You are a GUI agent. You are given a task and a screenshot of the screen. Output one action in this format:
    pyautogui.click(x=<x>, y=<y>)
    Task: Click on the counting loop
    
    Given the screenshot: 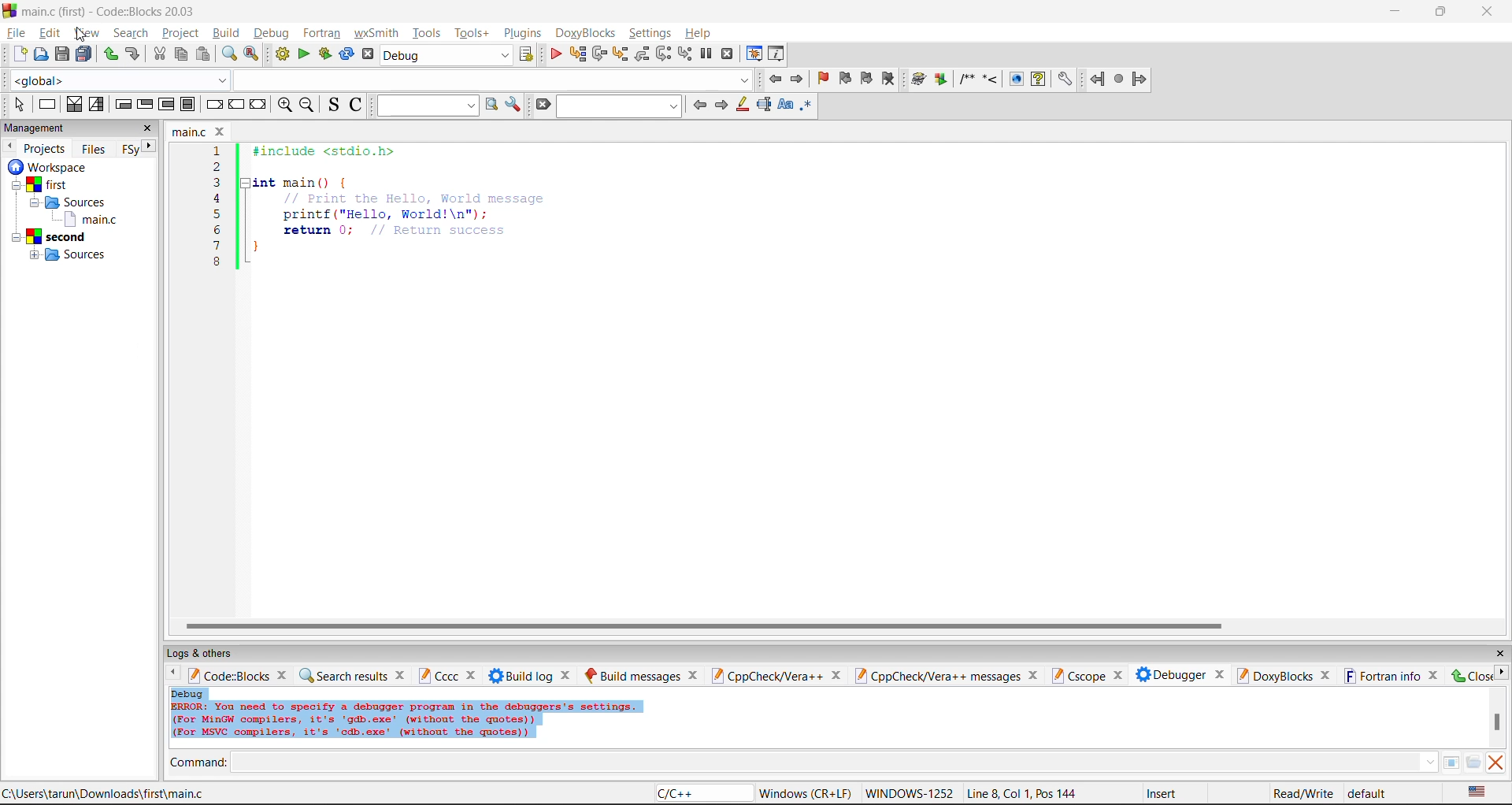 What is the action you would take?
    pyautogui.click(x=167, y=104)
    